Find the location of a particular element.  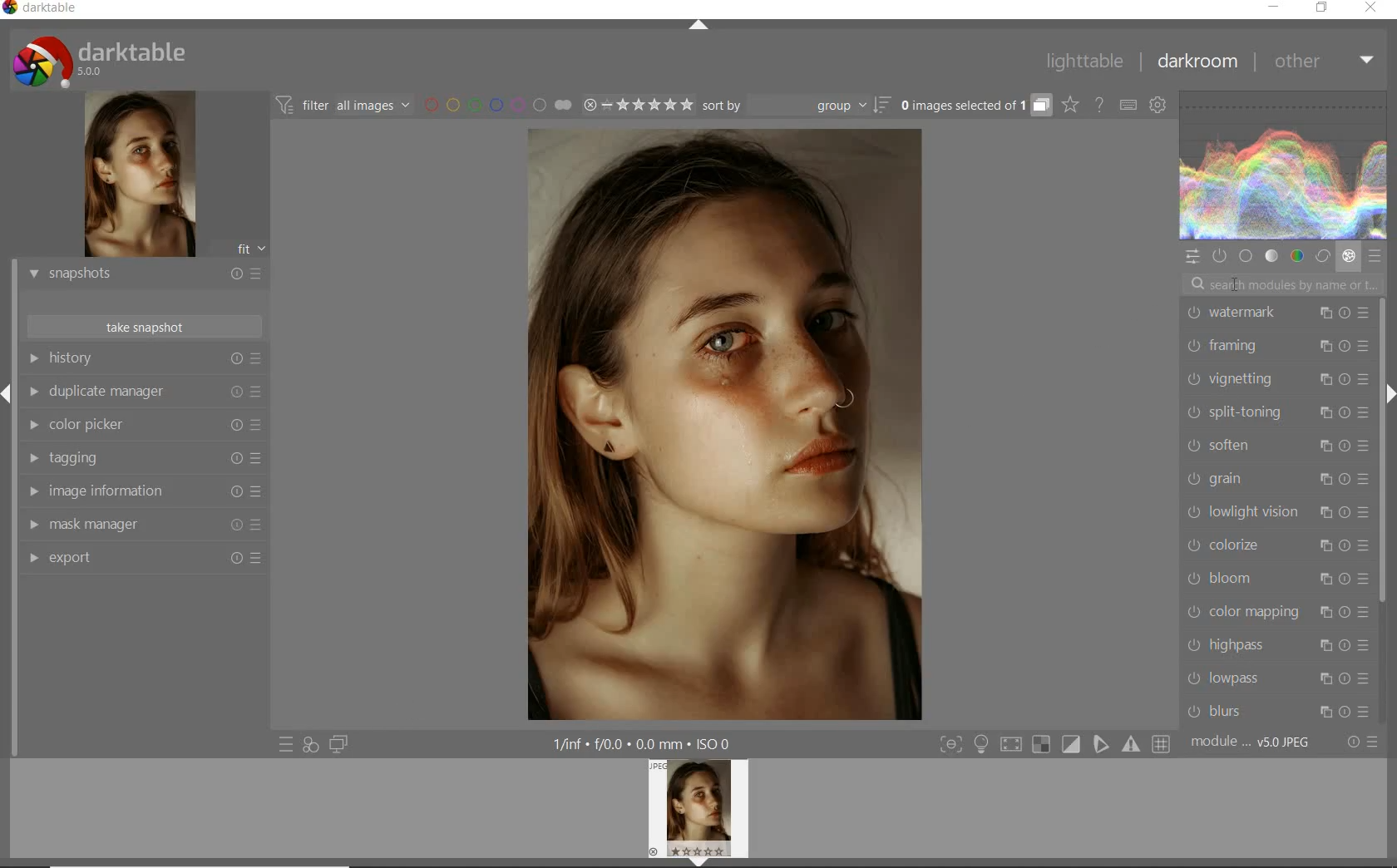

filter by image color is located at coordinates (497, 106).